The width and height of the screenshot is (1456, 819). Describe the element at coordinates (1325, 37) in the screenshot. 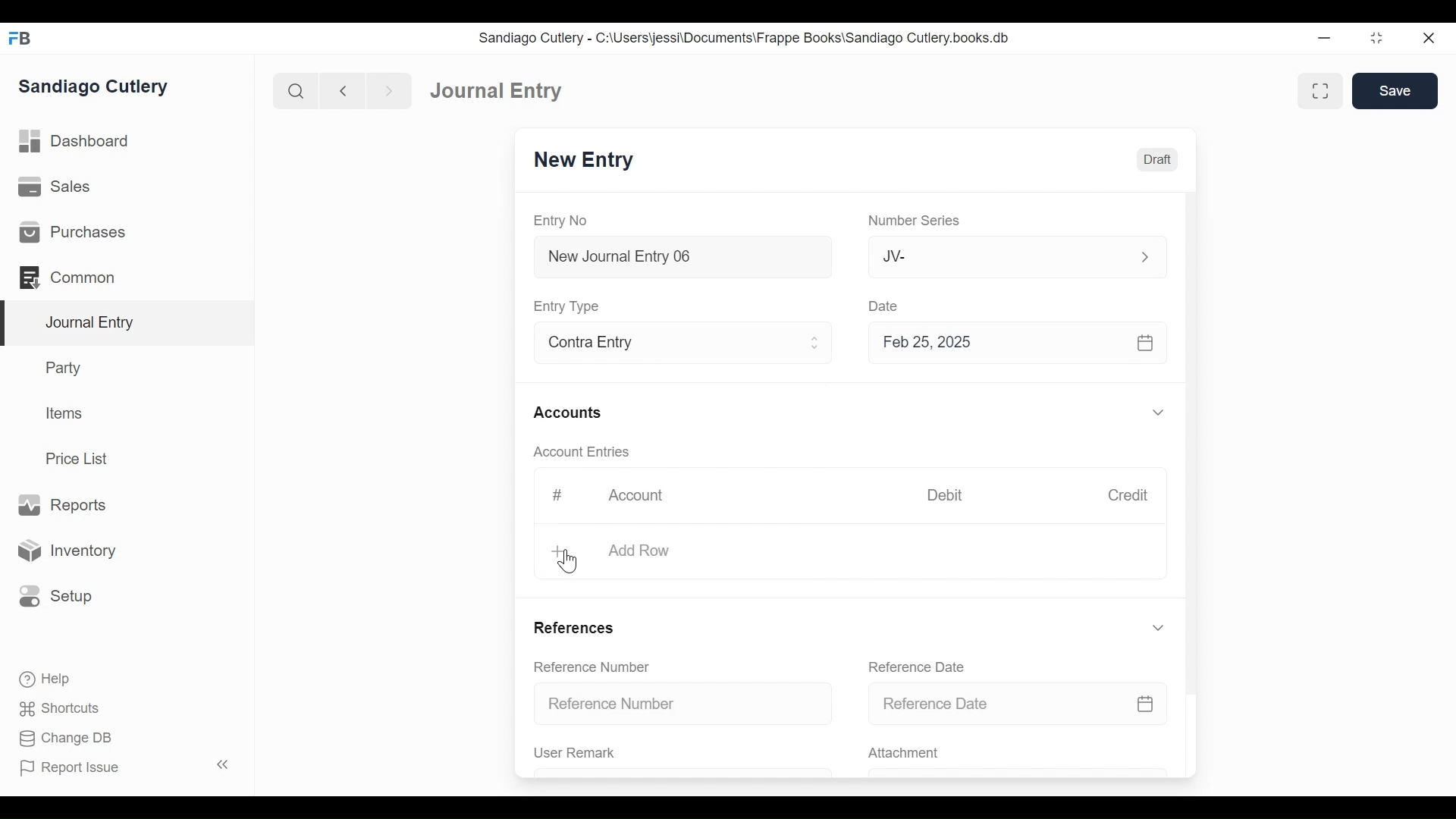

I see `minimize` at that location.